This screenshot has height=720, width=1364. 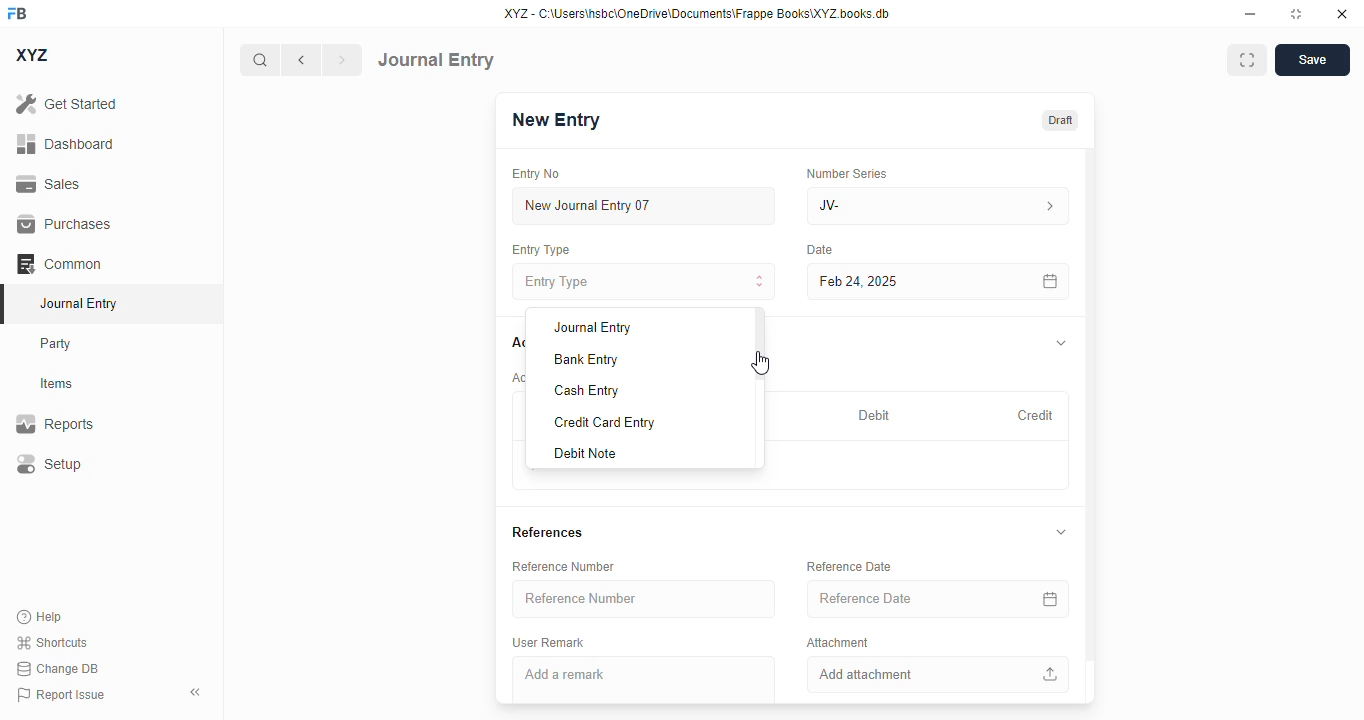 What do you see at coordinates (259, 60) in the screenshot?
I see `search` at bounding box center [259, 60].